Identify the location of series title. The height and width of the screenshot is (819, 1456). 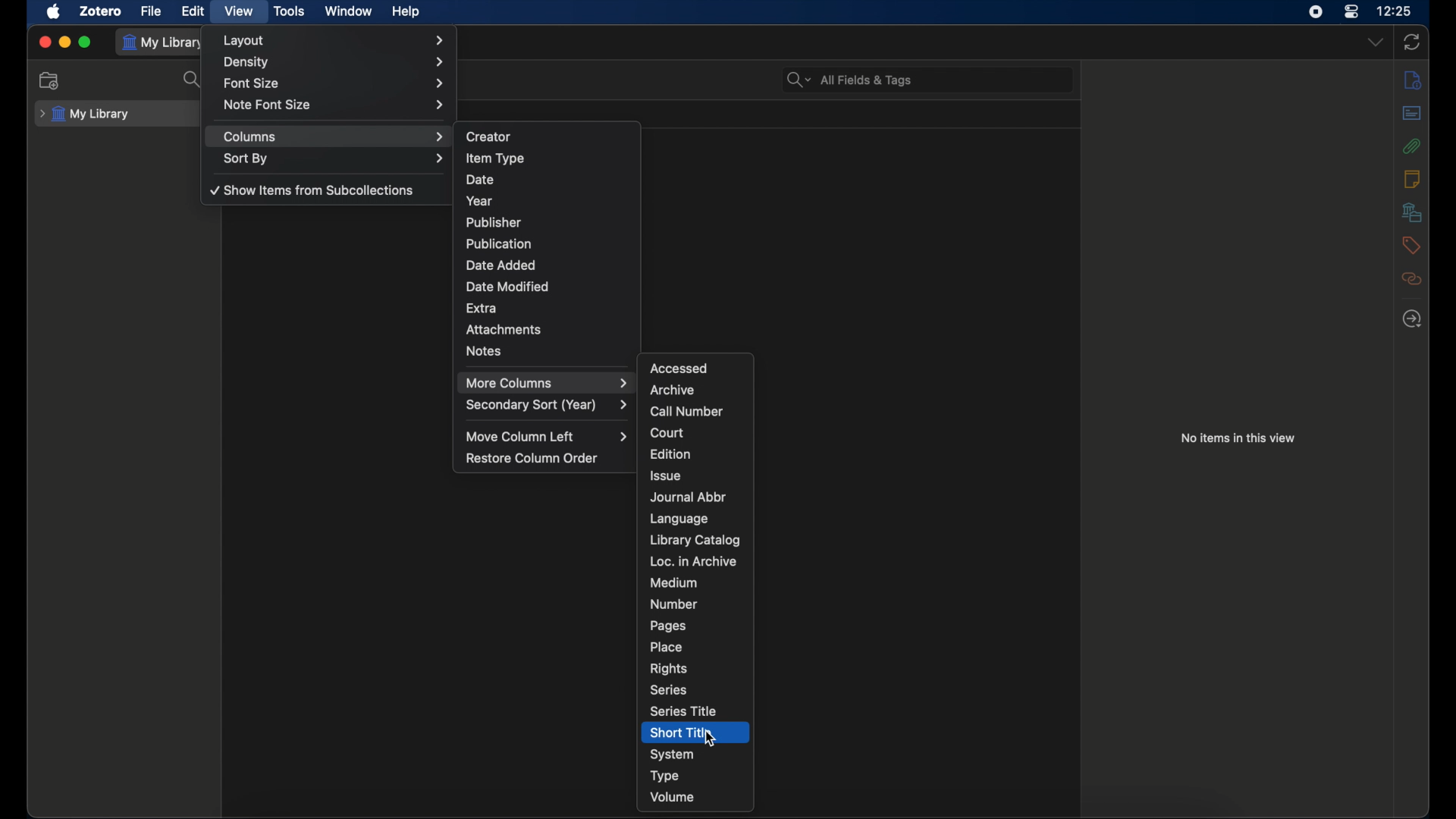
(683, 711).